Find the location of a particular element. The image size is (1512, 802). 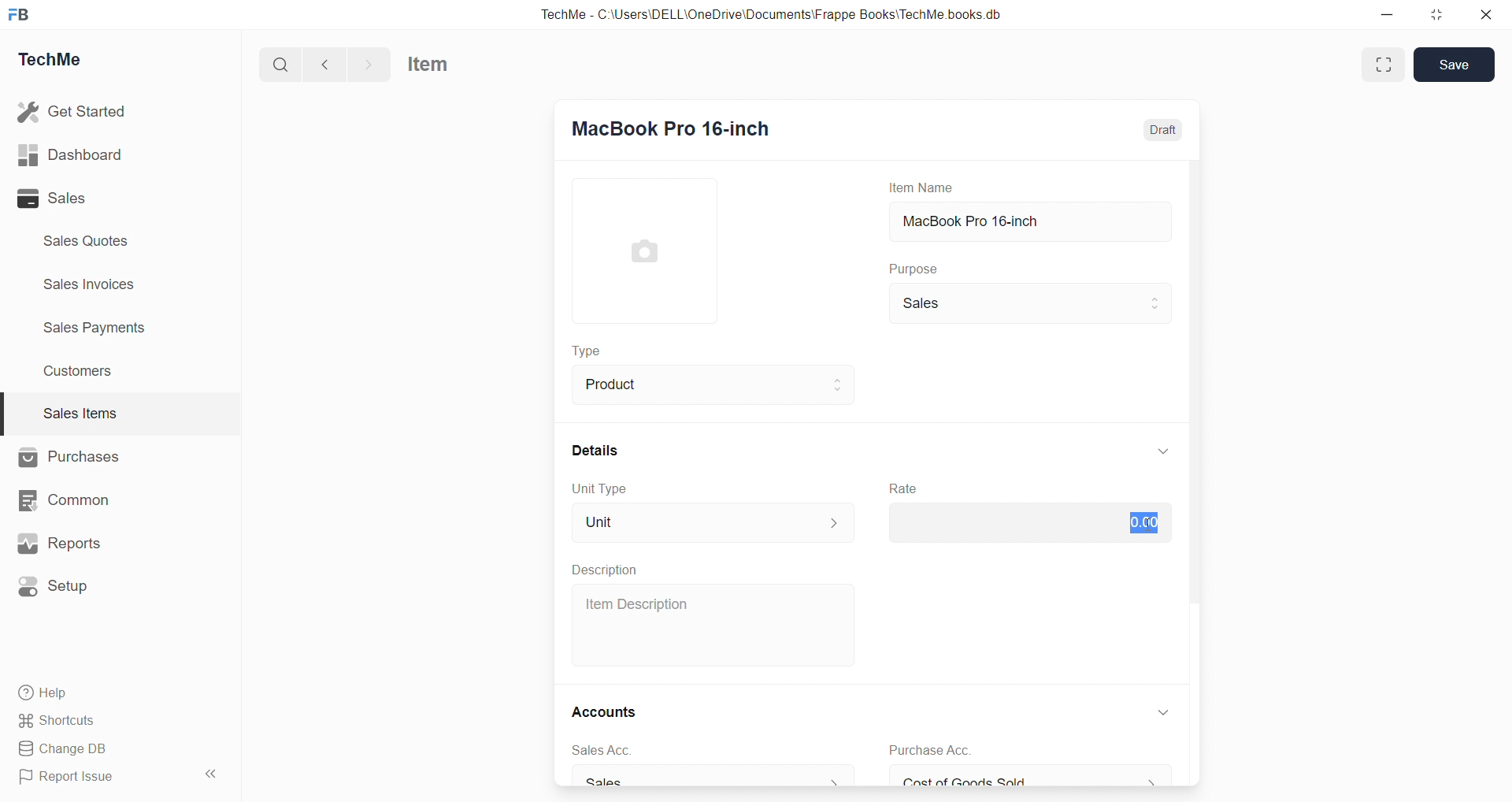

down is located at coordinates (1162, 452).